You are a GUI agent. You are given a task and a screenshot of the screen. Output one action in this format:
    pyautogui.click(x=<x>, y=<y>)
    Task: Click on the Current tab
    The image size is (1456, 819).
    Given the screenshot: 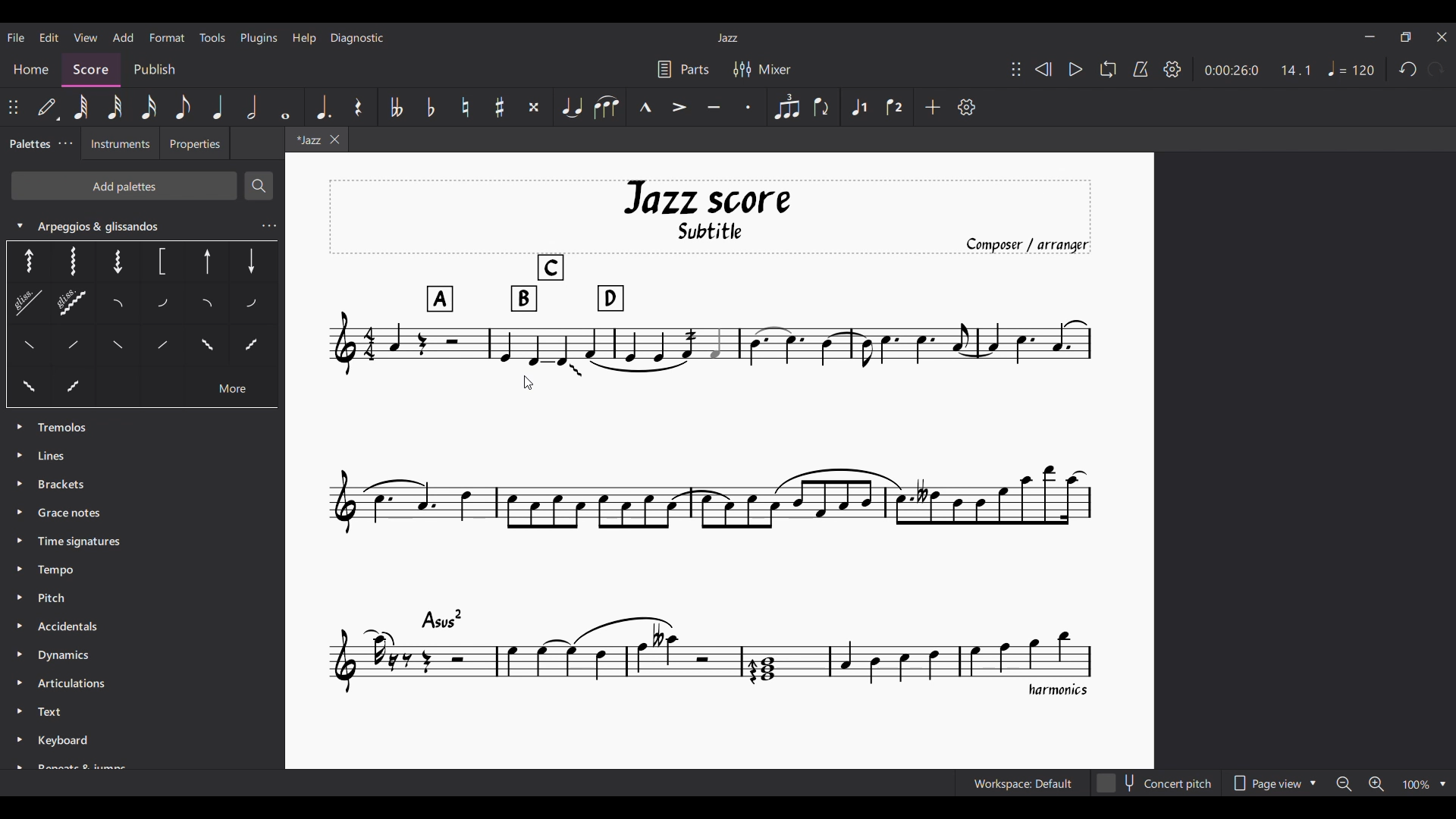 What is the action you would take?
    pyautogui.click(x=306, y=139)
    